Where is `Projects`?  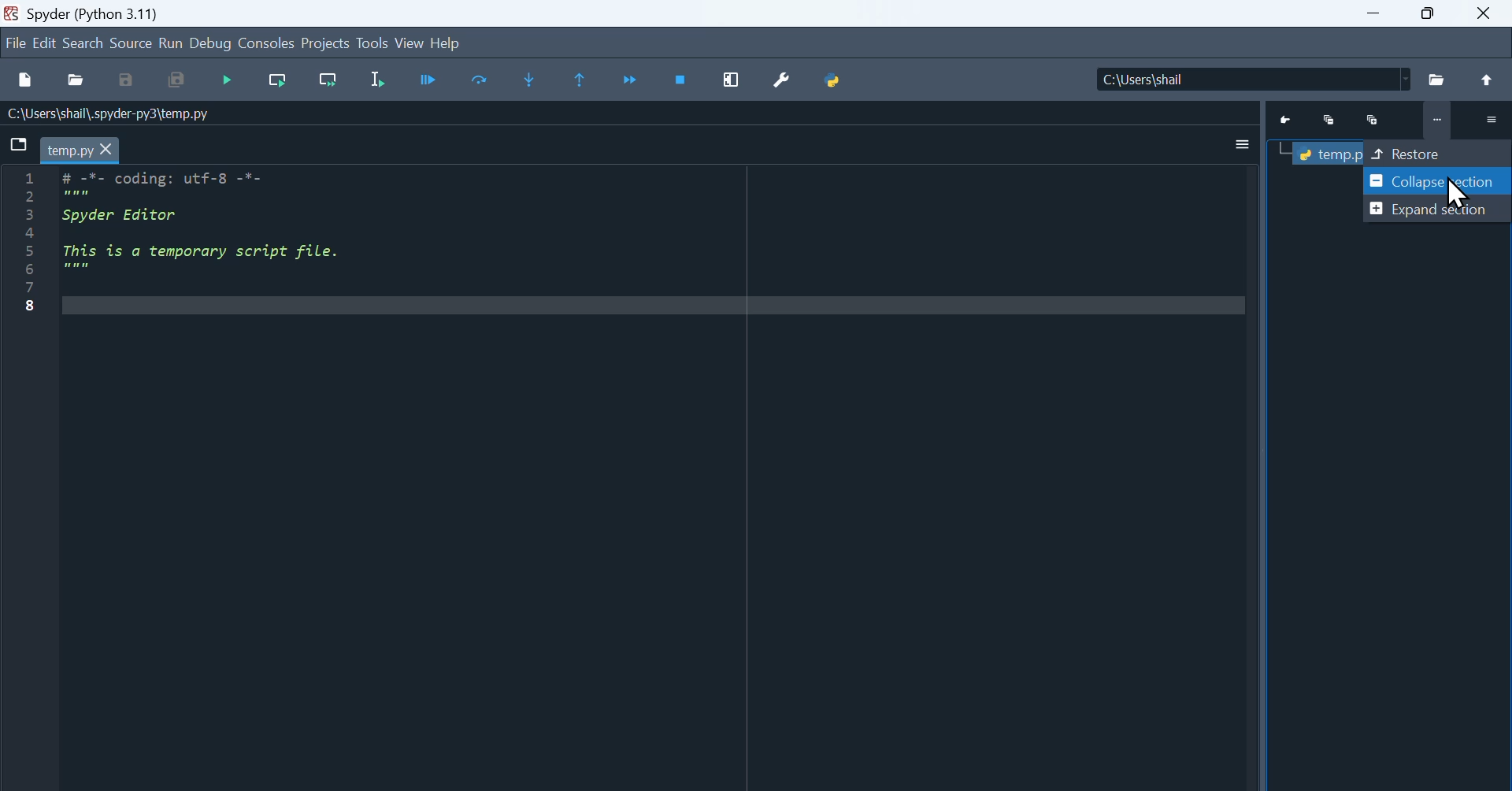 Projects is located at coordinates (324, 43).